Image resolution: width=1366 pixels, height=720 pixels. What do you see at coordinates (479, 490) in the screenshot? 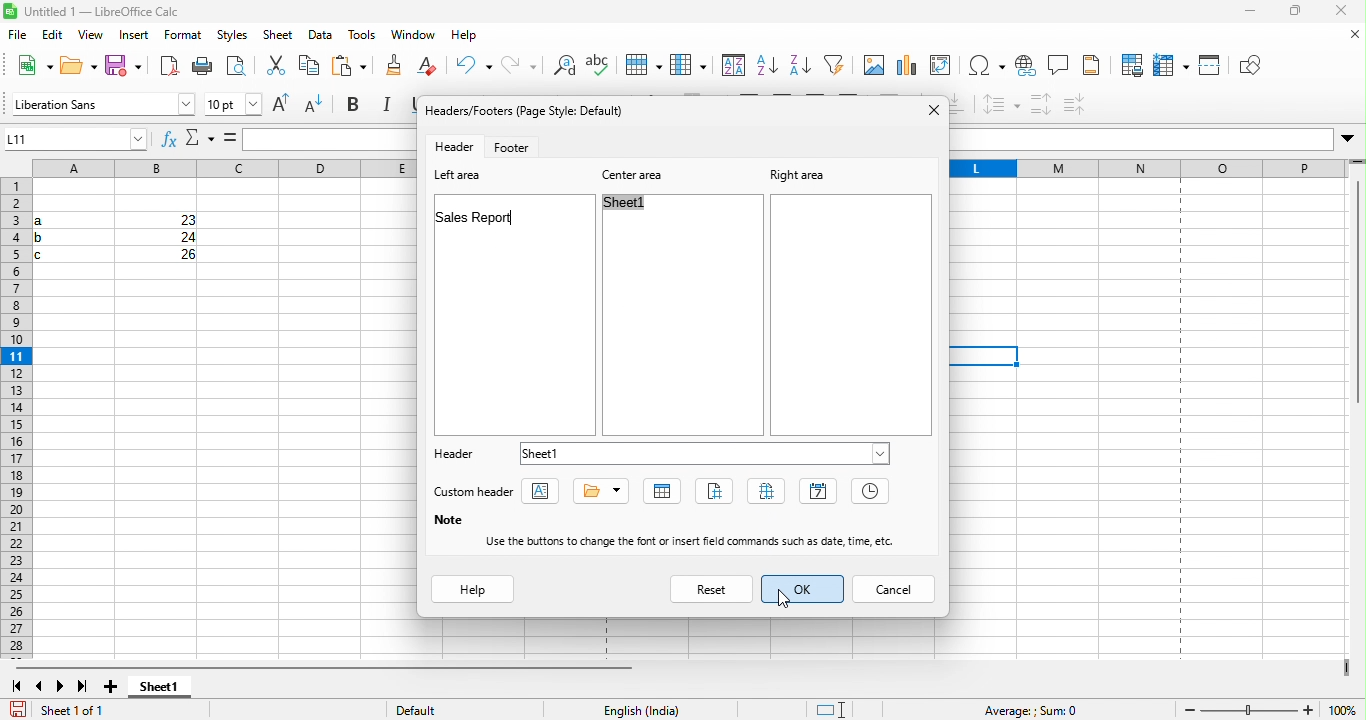
I see `custom header` at bounding box center [479, 490].